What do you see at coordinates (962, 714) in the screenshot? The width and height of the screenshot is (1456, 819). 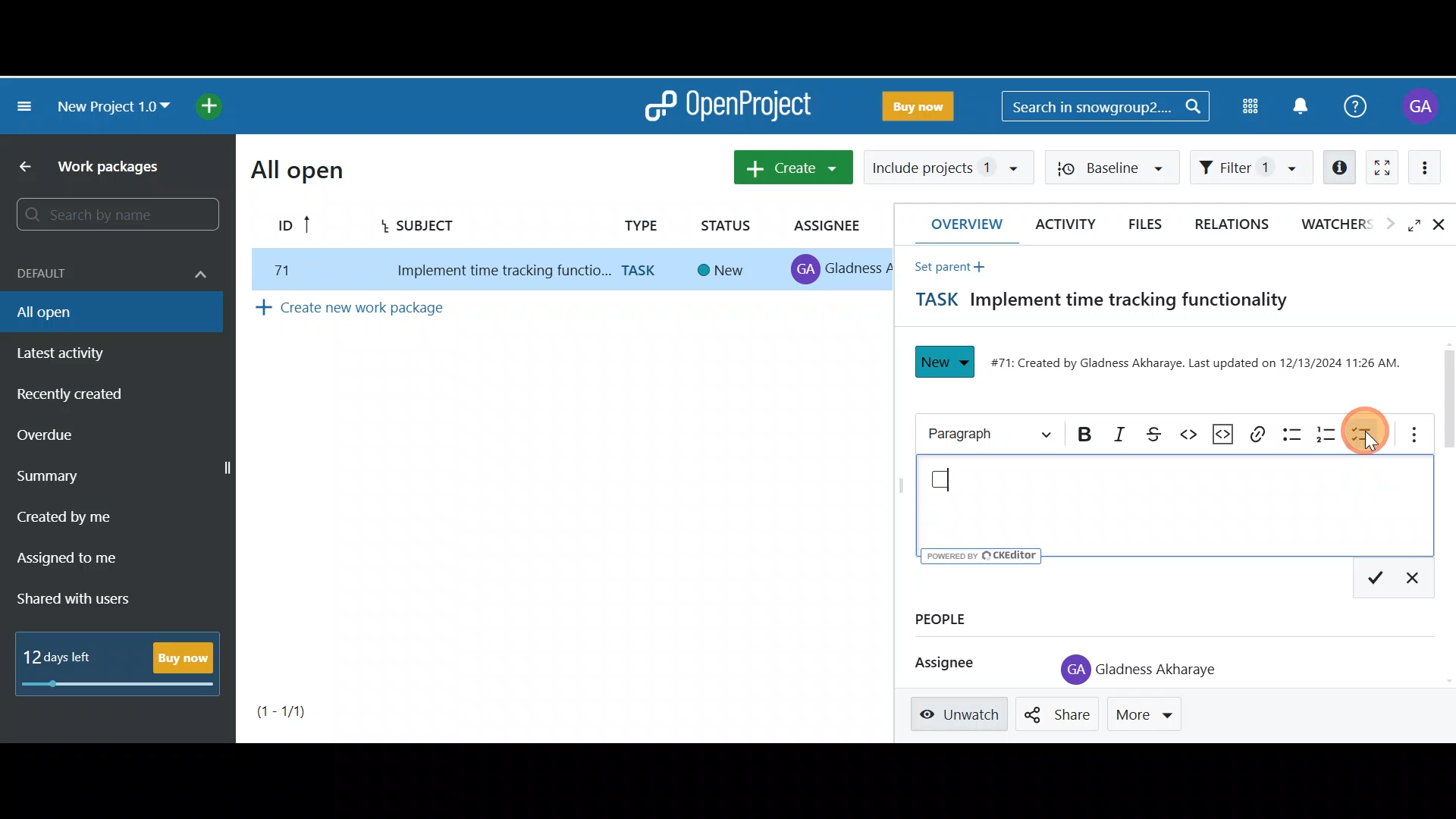 I see `Unwatch` at bounding box center [962, 714].